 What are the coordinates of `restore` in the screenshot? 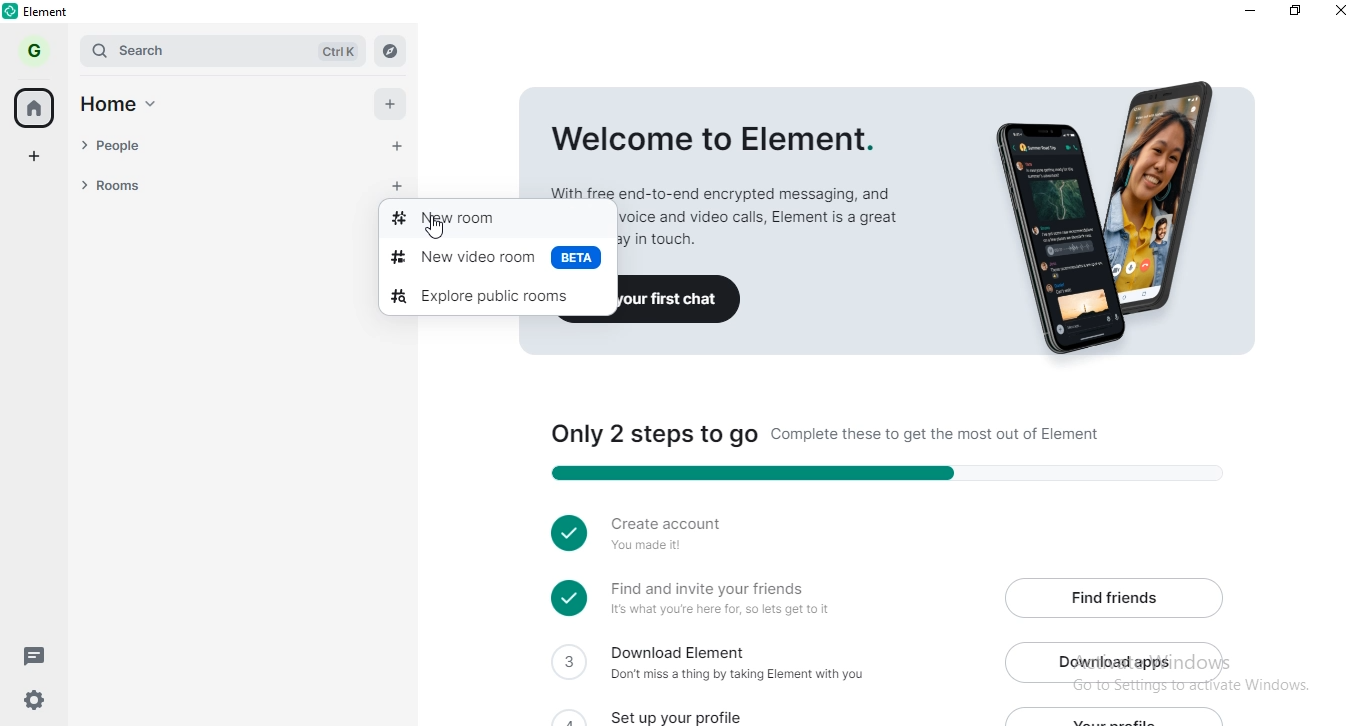 It's located at (1295, 13).